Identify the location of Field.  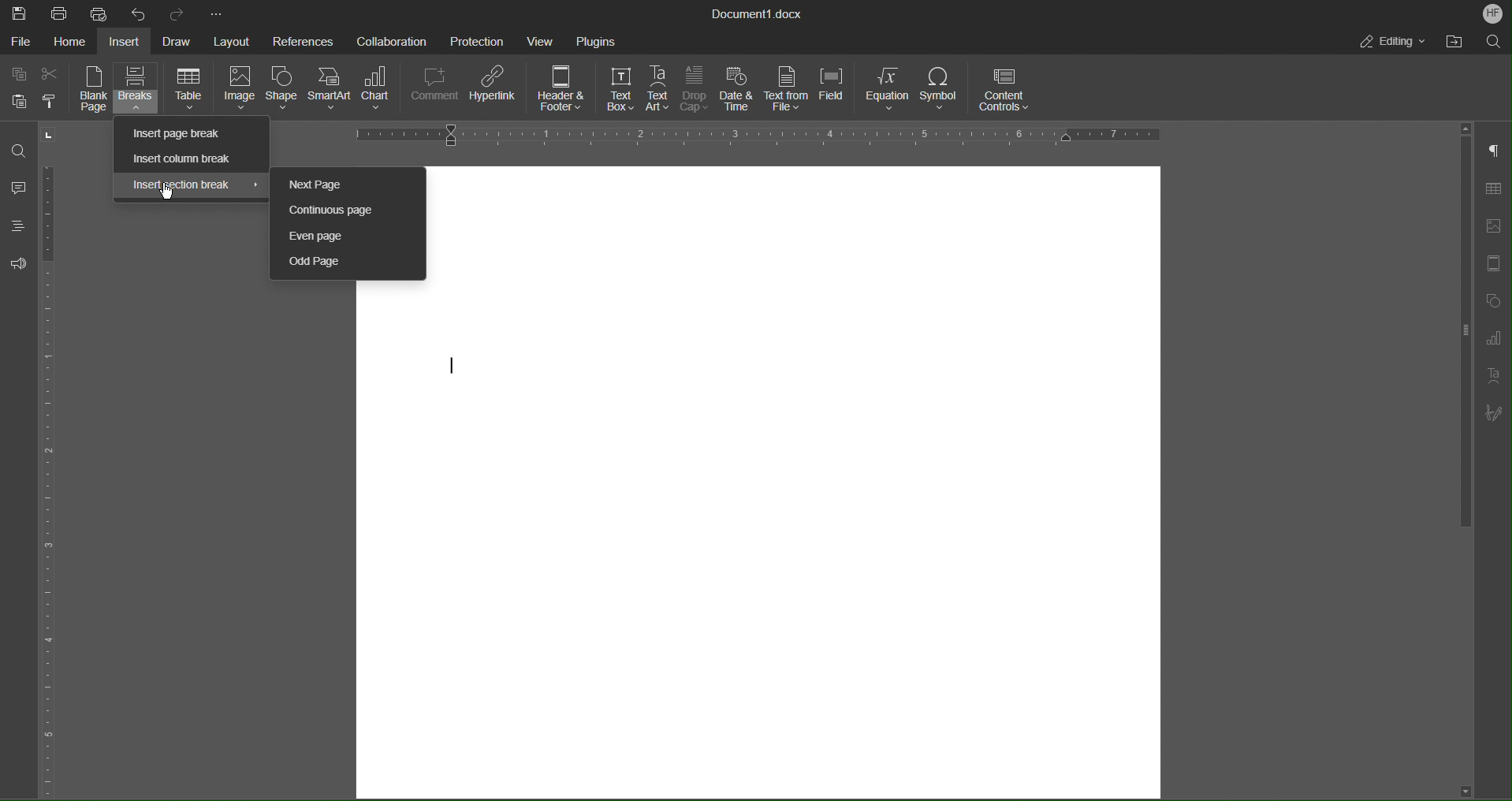
(832, 90).